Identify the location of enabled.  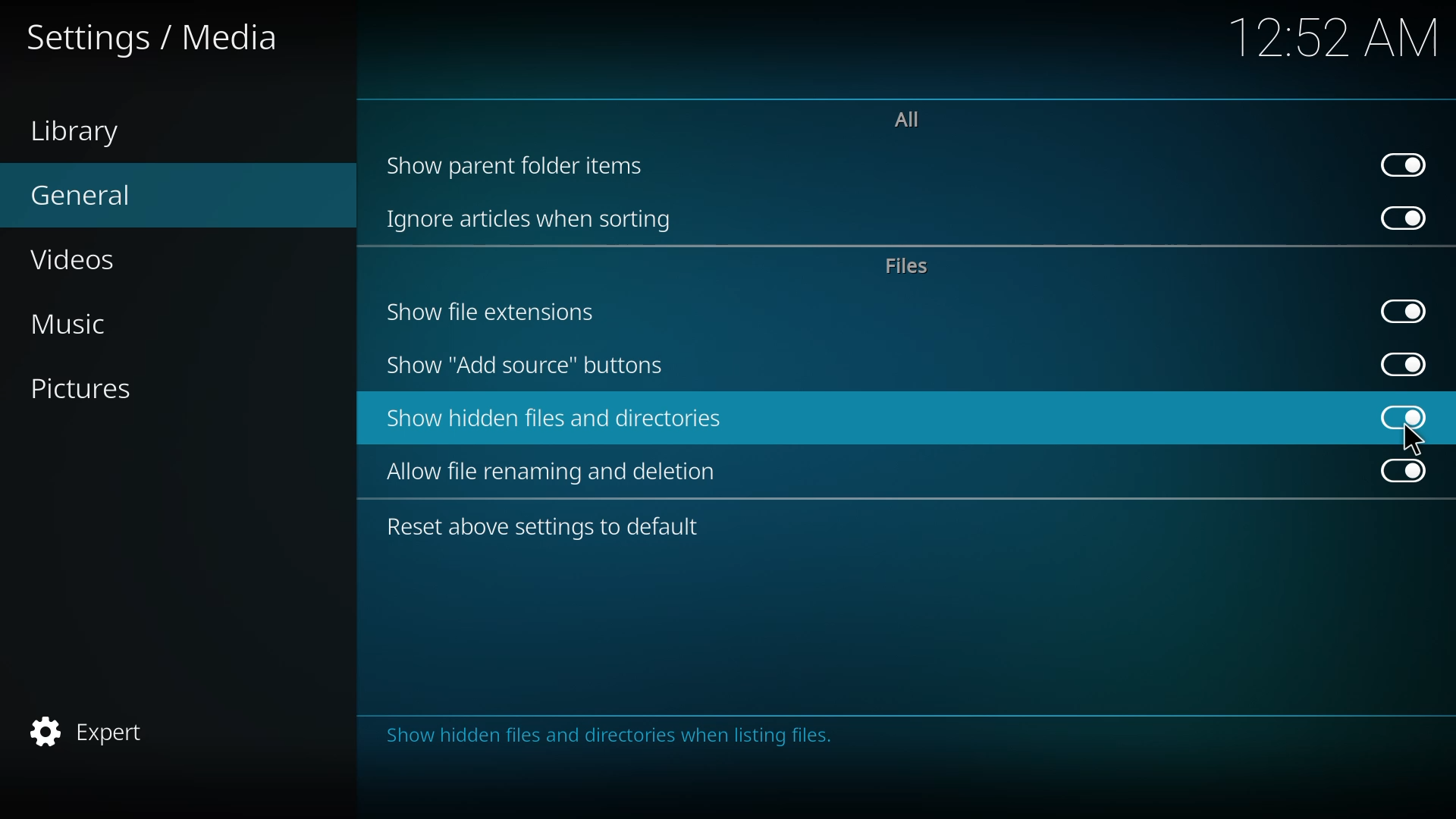
(1401, 416).